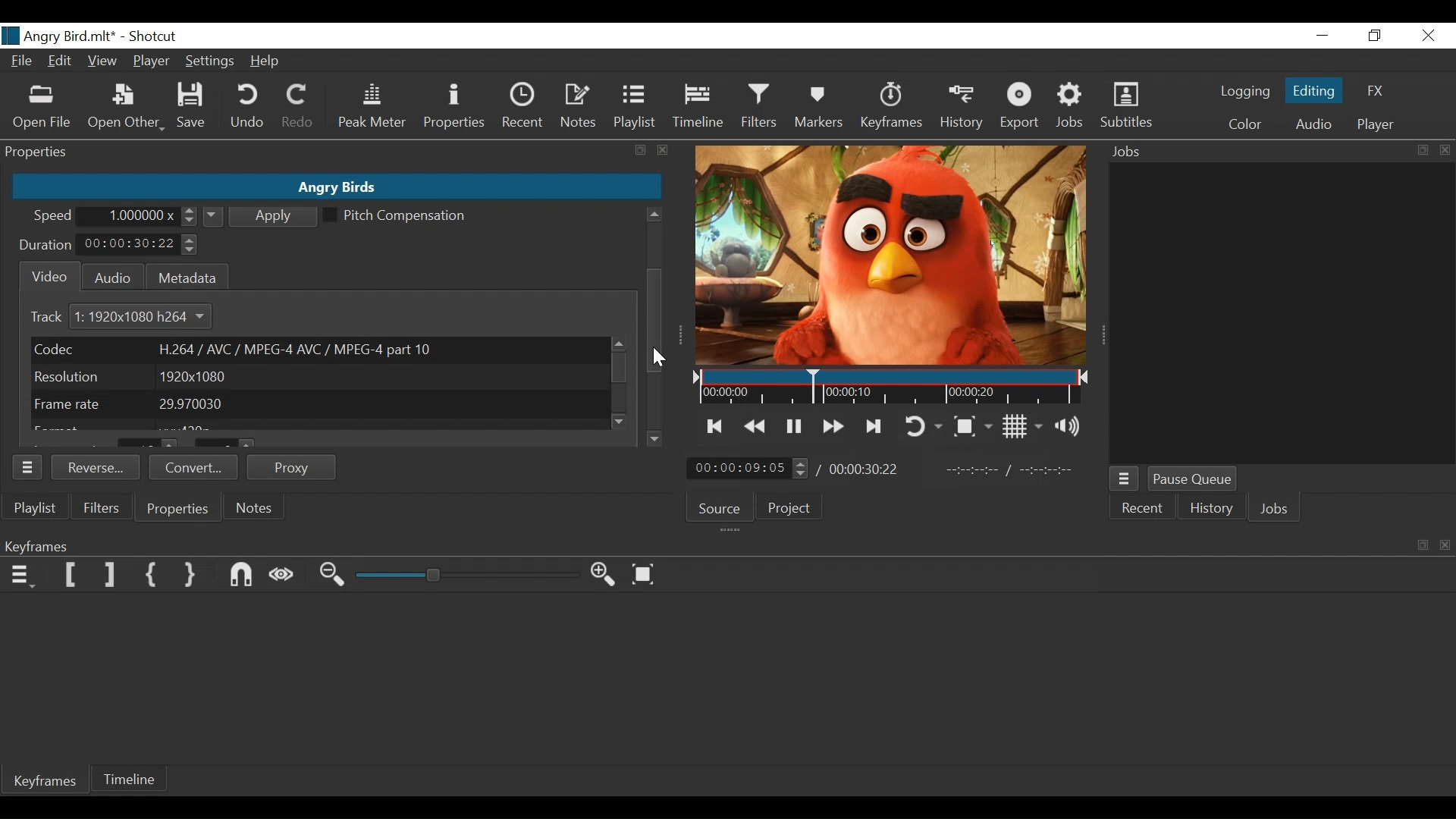 Image resolution: width=1456 pixels, height=819 pixels. Describe the element at coordinates (720, 507) in the screenshot. I see `Source` at that location.